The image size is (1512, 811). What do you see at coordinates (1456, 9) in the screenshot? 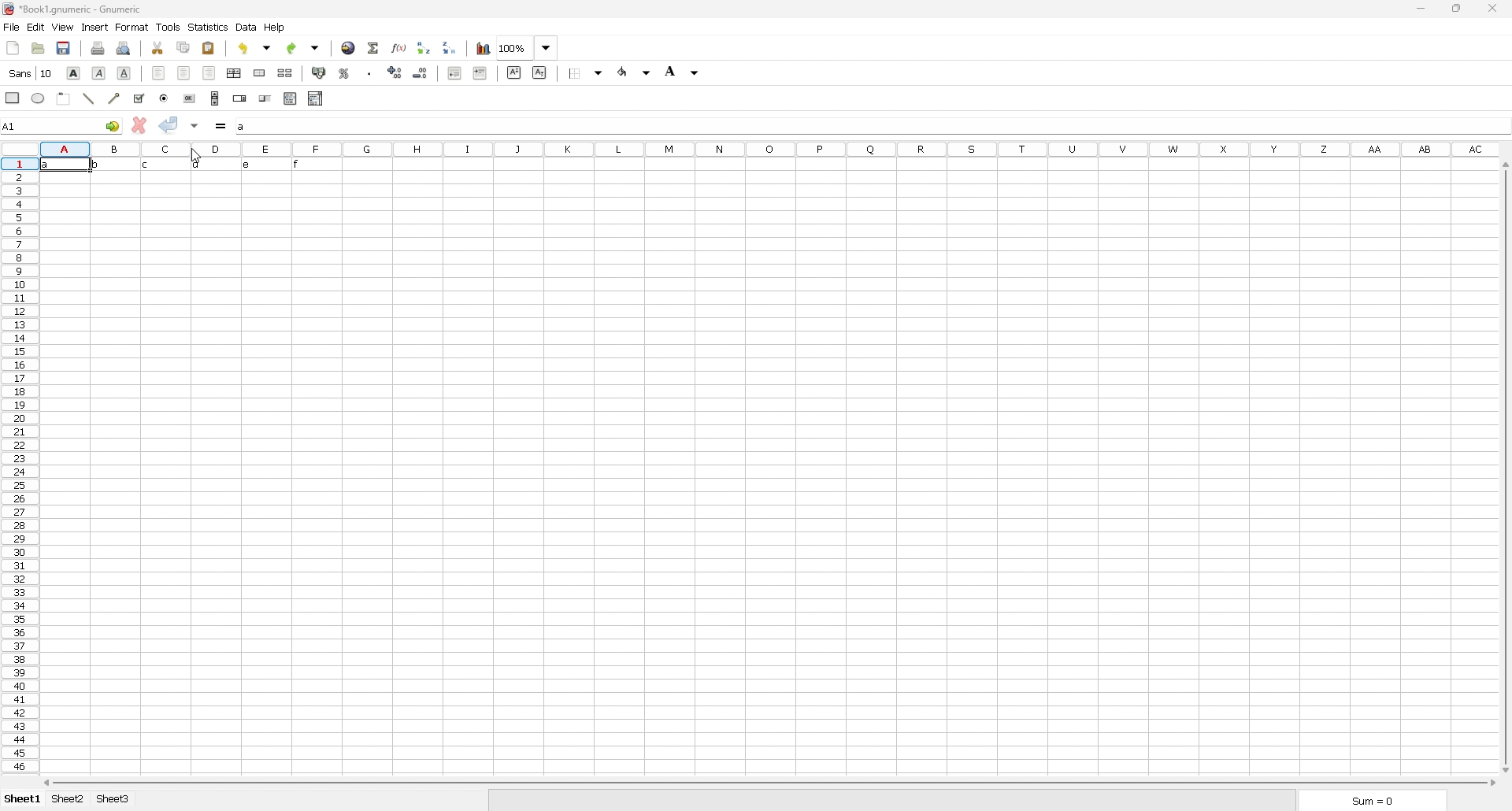
I see `resize` at bounding box center [1456, 9].